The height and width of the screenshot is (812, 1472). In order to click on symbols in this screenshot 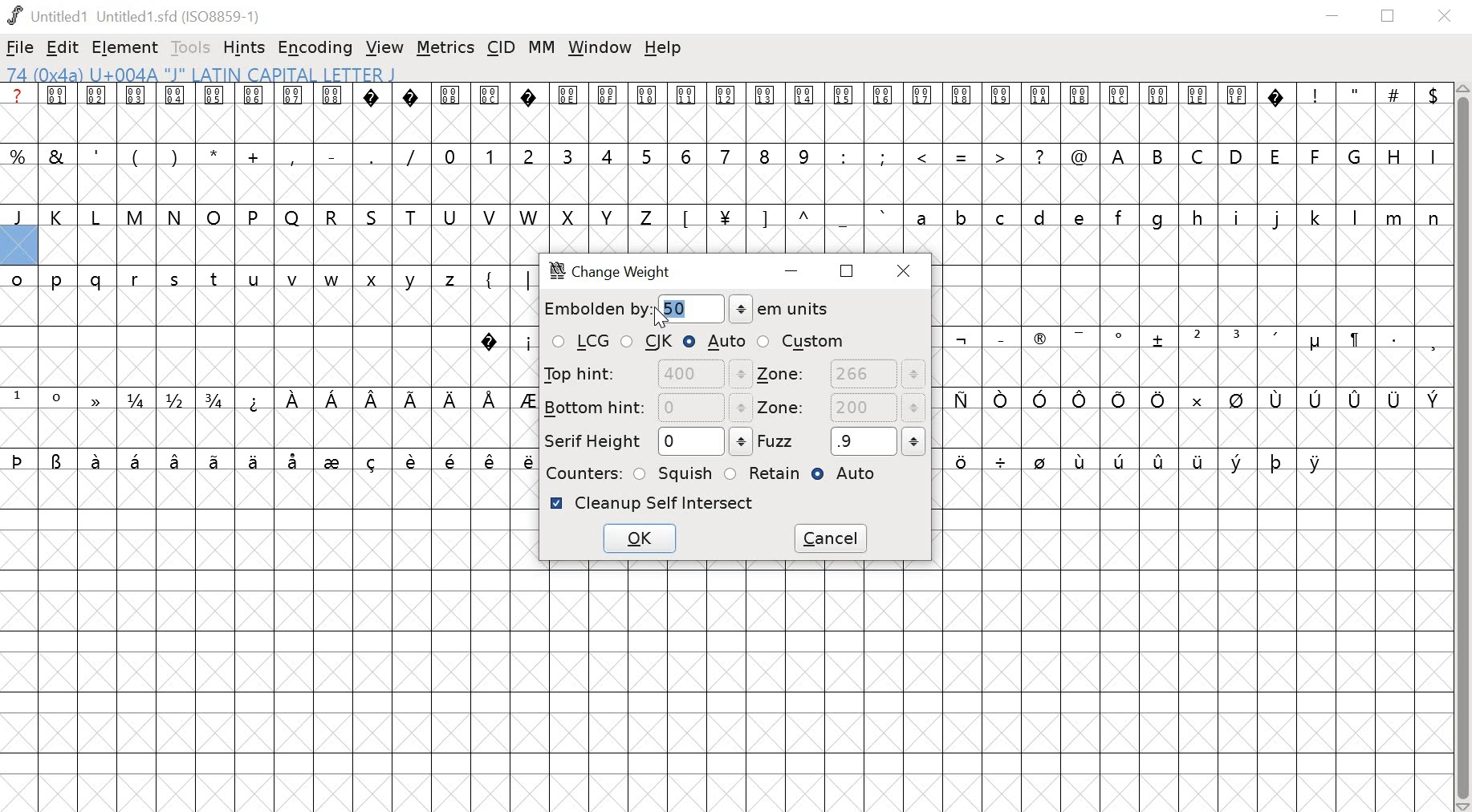, I will do `click(390, 400)`.